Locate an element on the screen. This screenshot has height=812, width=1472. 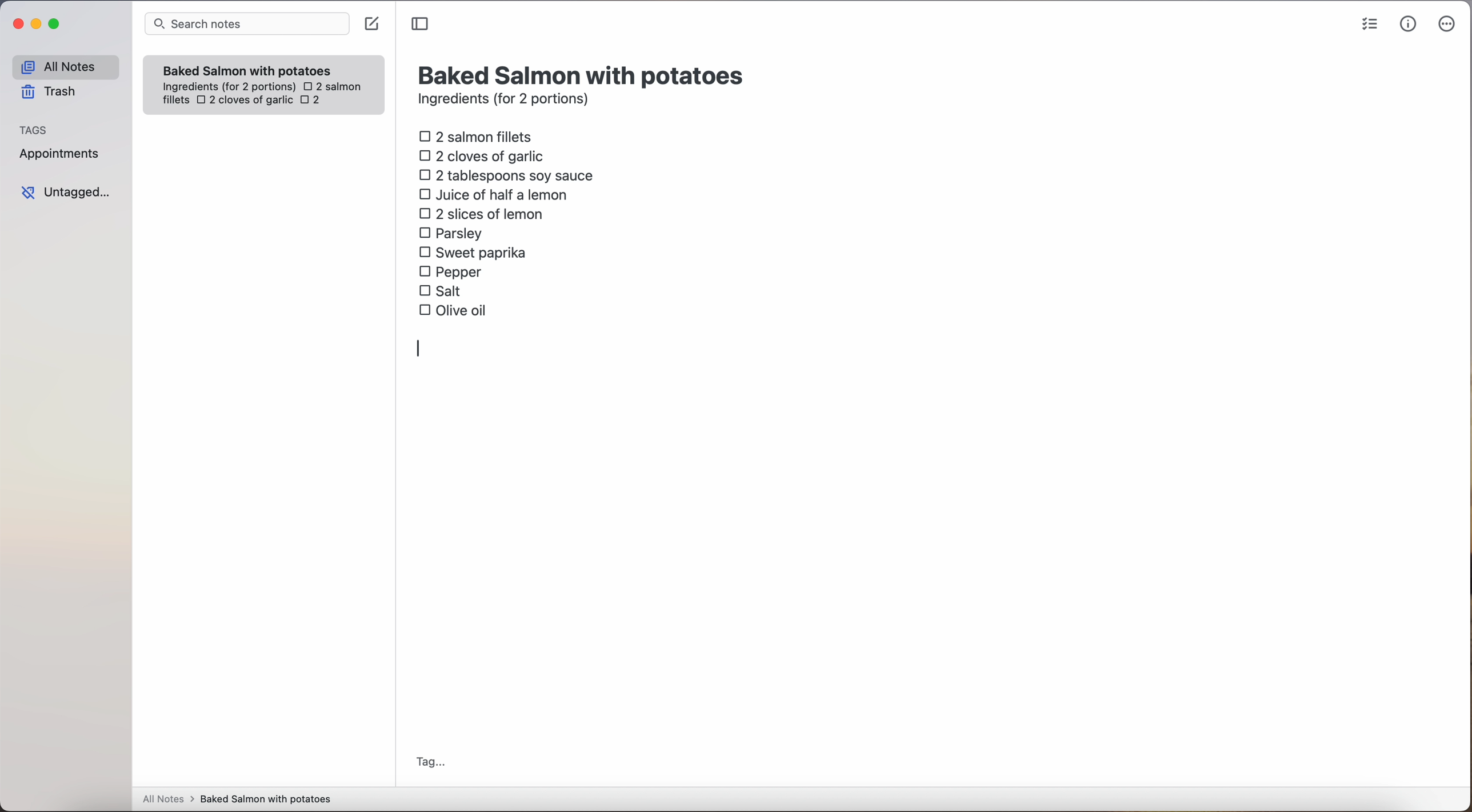
more options is located at coordinates (1449, 25).